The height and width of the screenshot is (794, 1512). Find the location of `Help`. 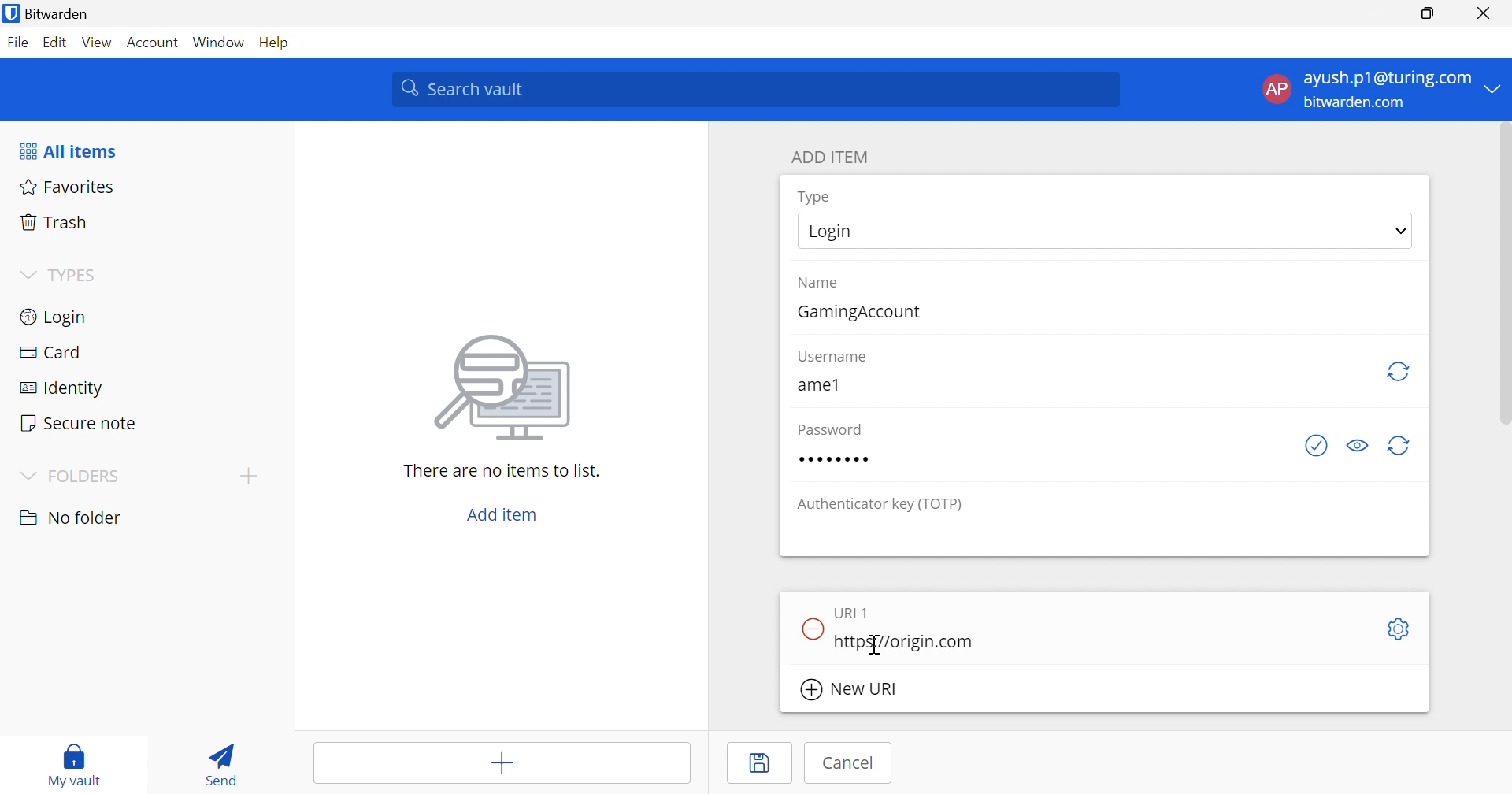

Help is located at coordinates (273, 43).